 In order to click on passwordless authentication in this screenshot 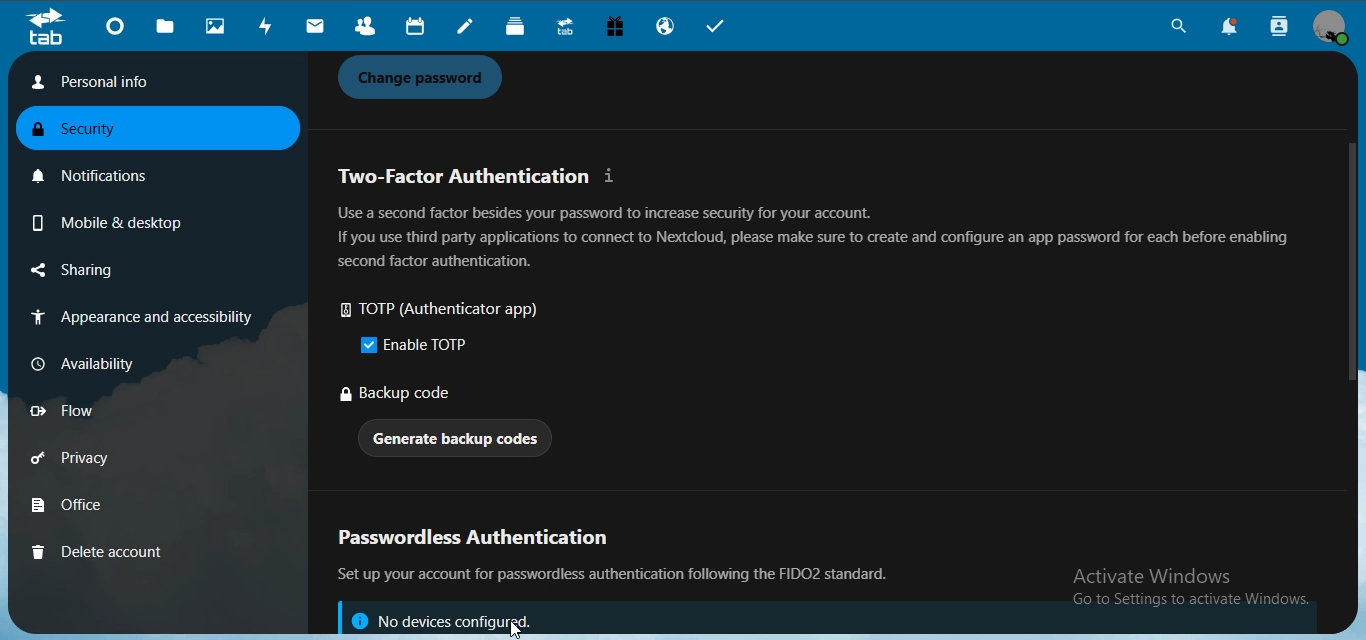, I will do `click(483, 540)`.